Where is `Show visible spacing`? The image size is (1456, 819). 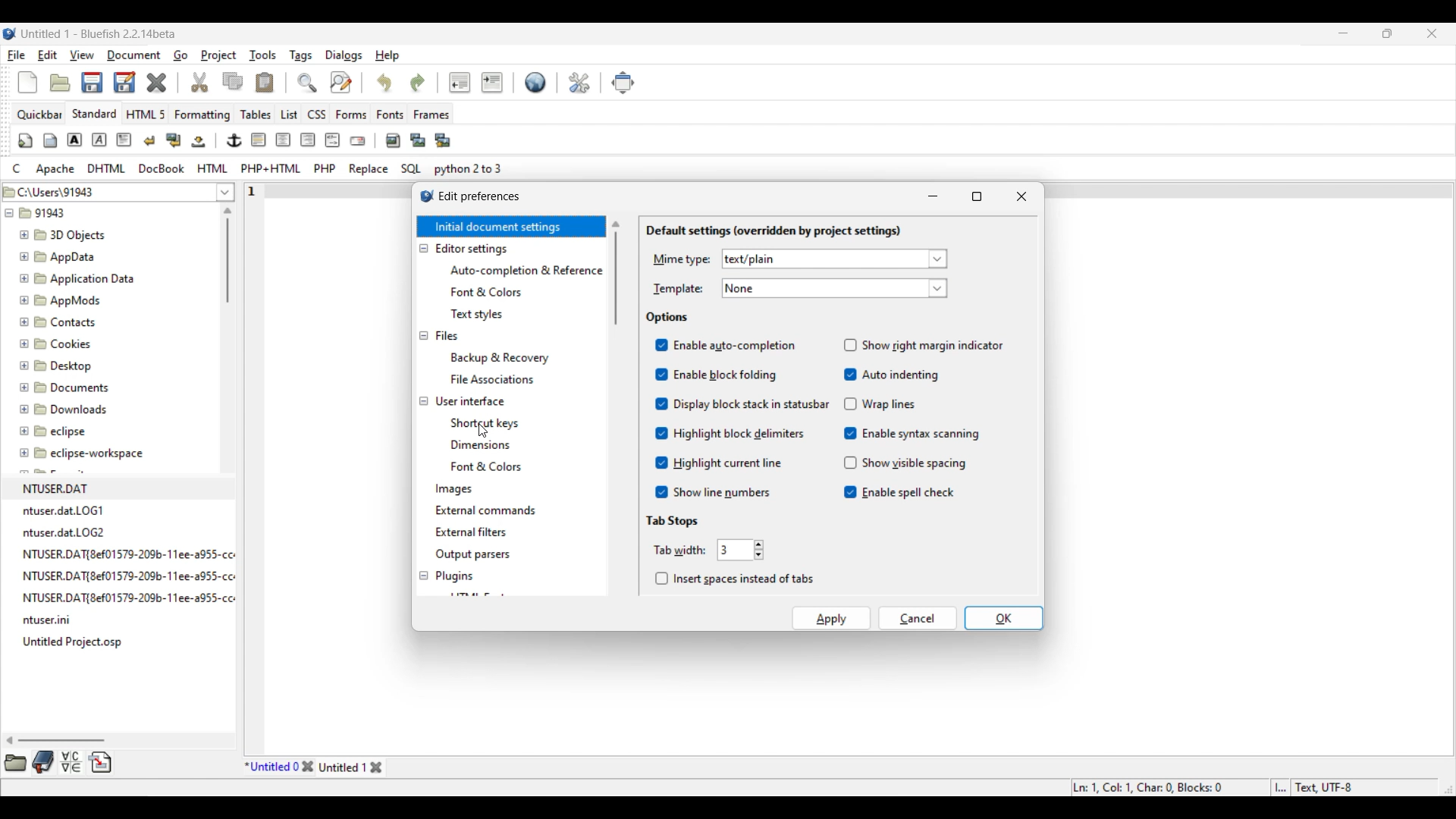
Show visible spacing is located at coordinates (903, 463).